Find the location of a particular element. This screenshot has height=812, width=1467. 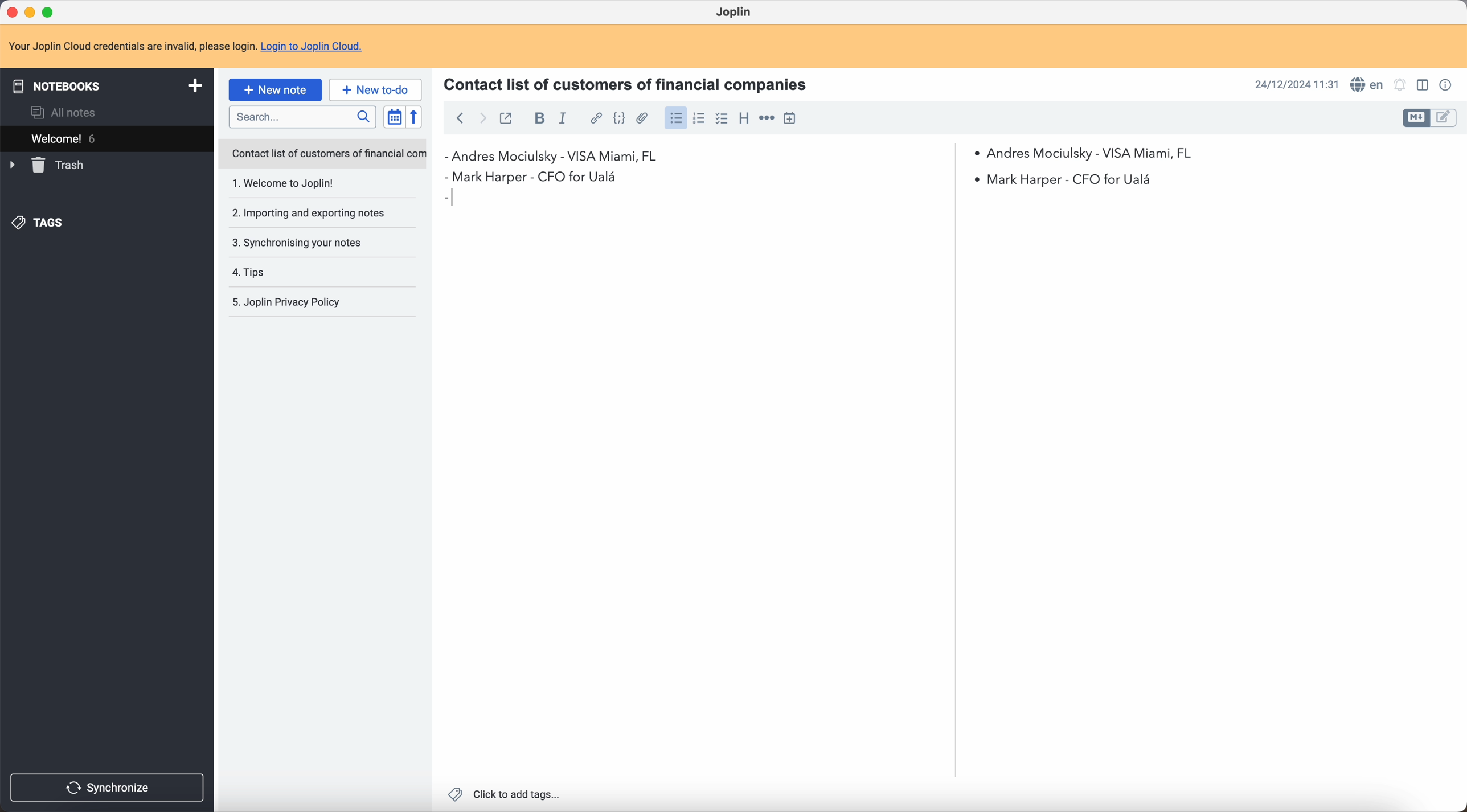

italic is located at coordinates (563, 120).